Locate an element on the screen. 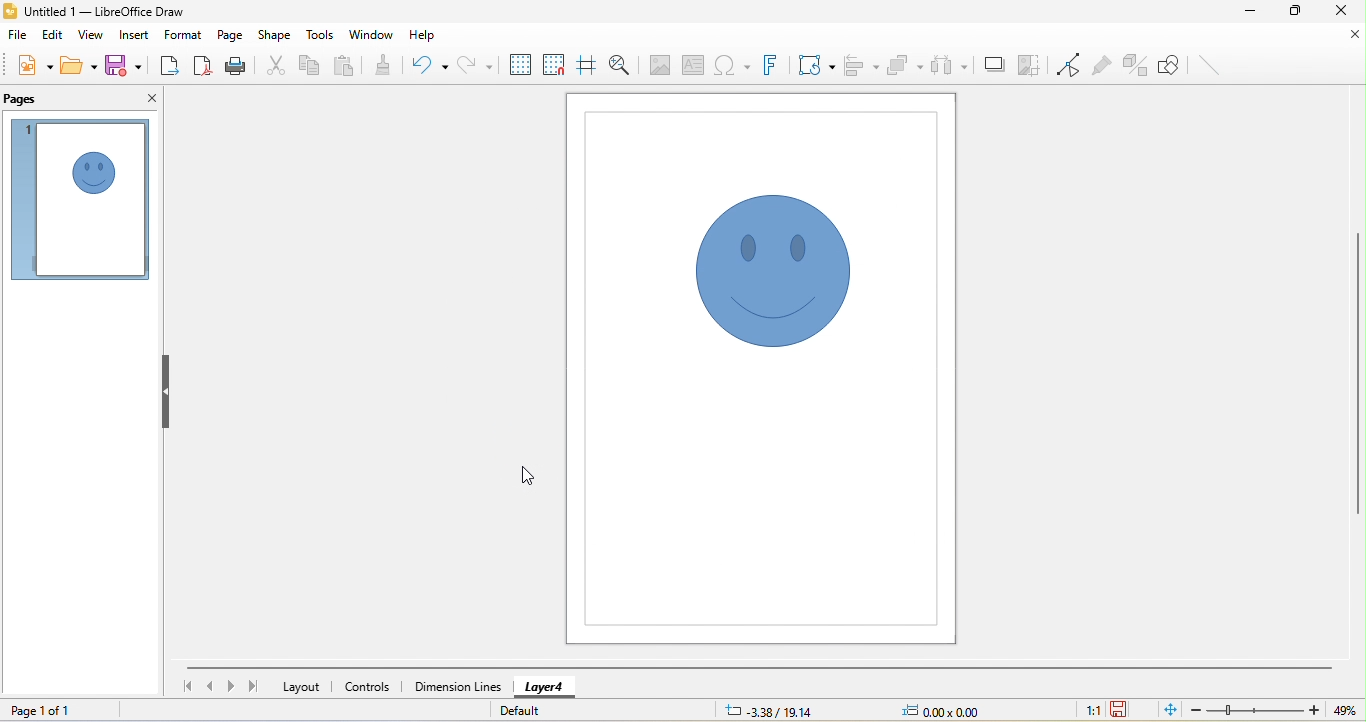  text box is located at coordinates (695, 63).